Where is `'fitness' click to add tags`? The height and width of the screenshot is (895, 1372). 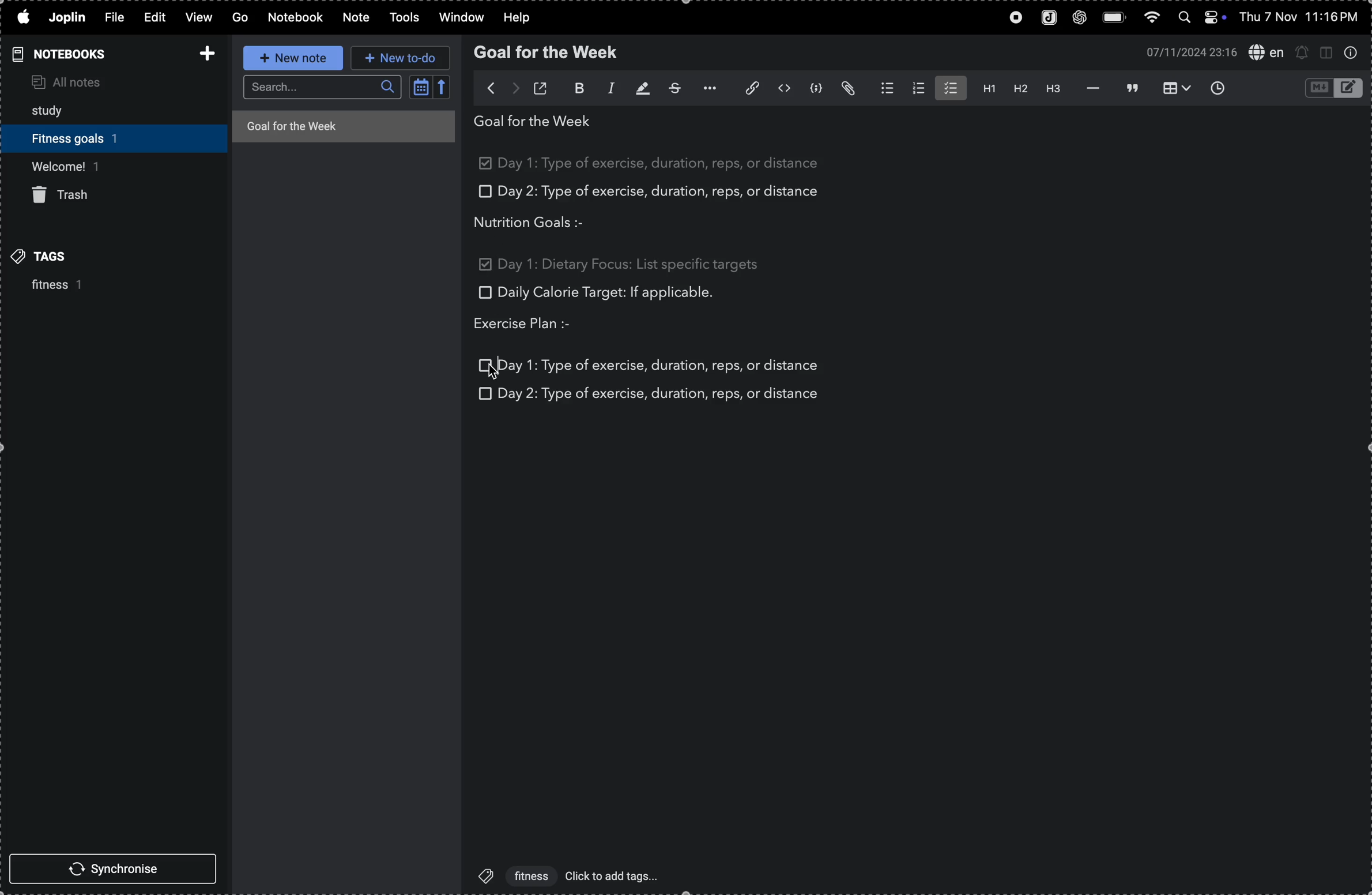 'fitness' click to add tags is located at coordinates (564, 875).